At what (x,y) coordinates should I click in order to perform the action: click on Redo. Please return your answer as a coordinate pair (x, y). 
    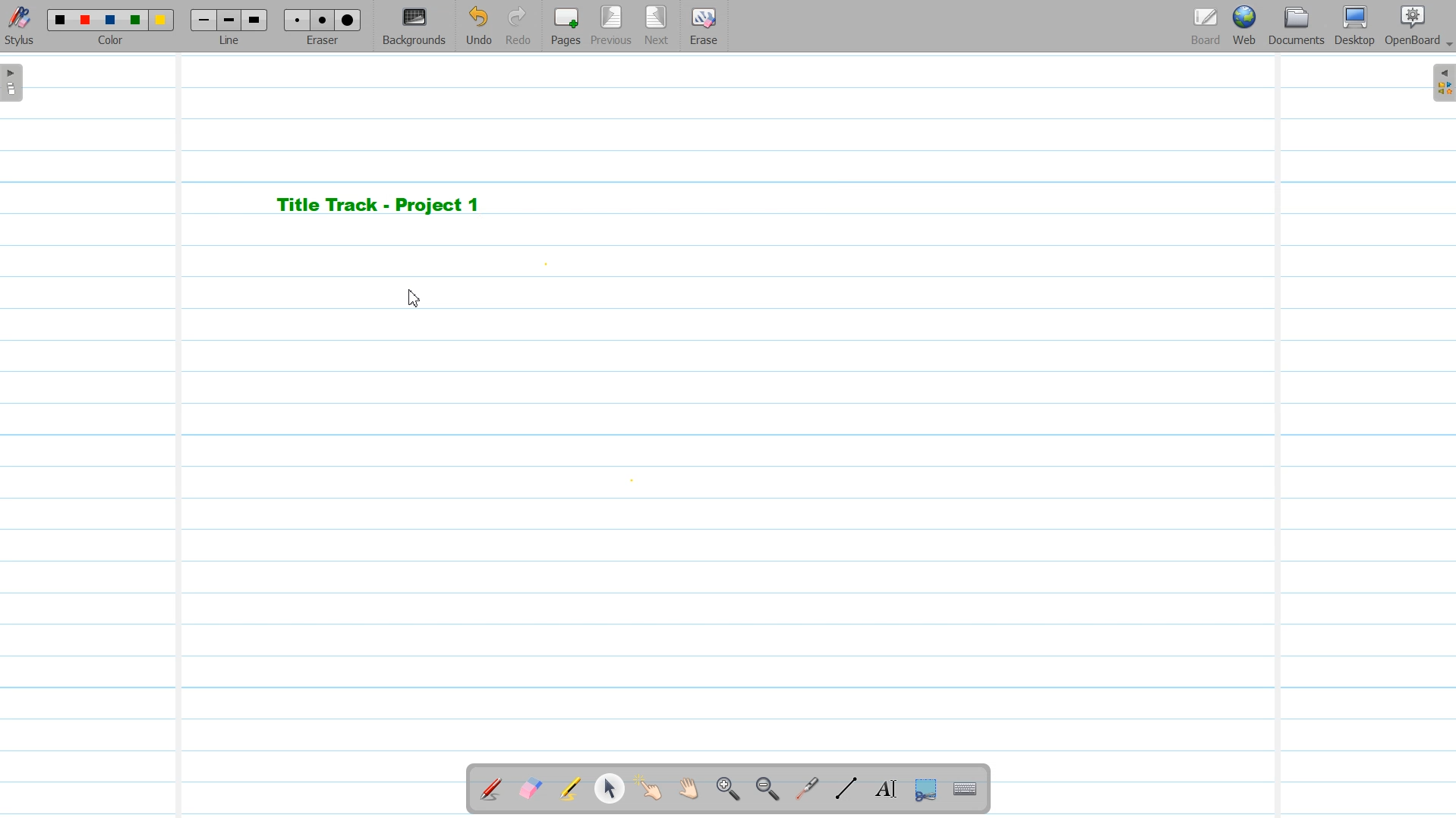
    Looking at the image, I should click on (518, 27).